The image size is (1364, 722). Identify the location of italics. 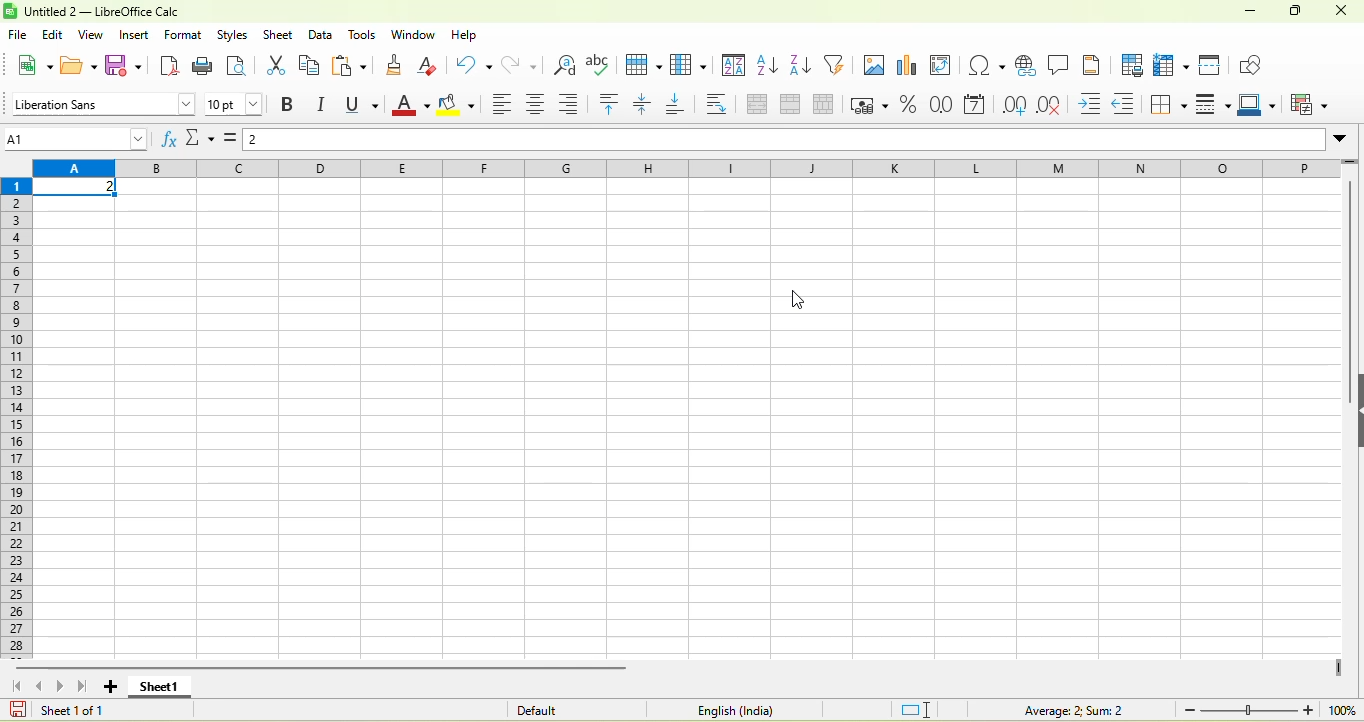
(324, 106).